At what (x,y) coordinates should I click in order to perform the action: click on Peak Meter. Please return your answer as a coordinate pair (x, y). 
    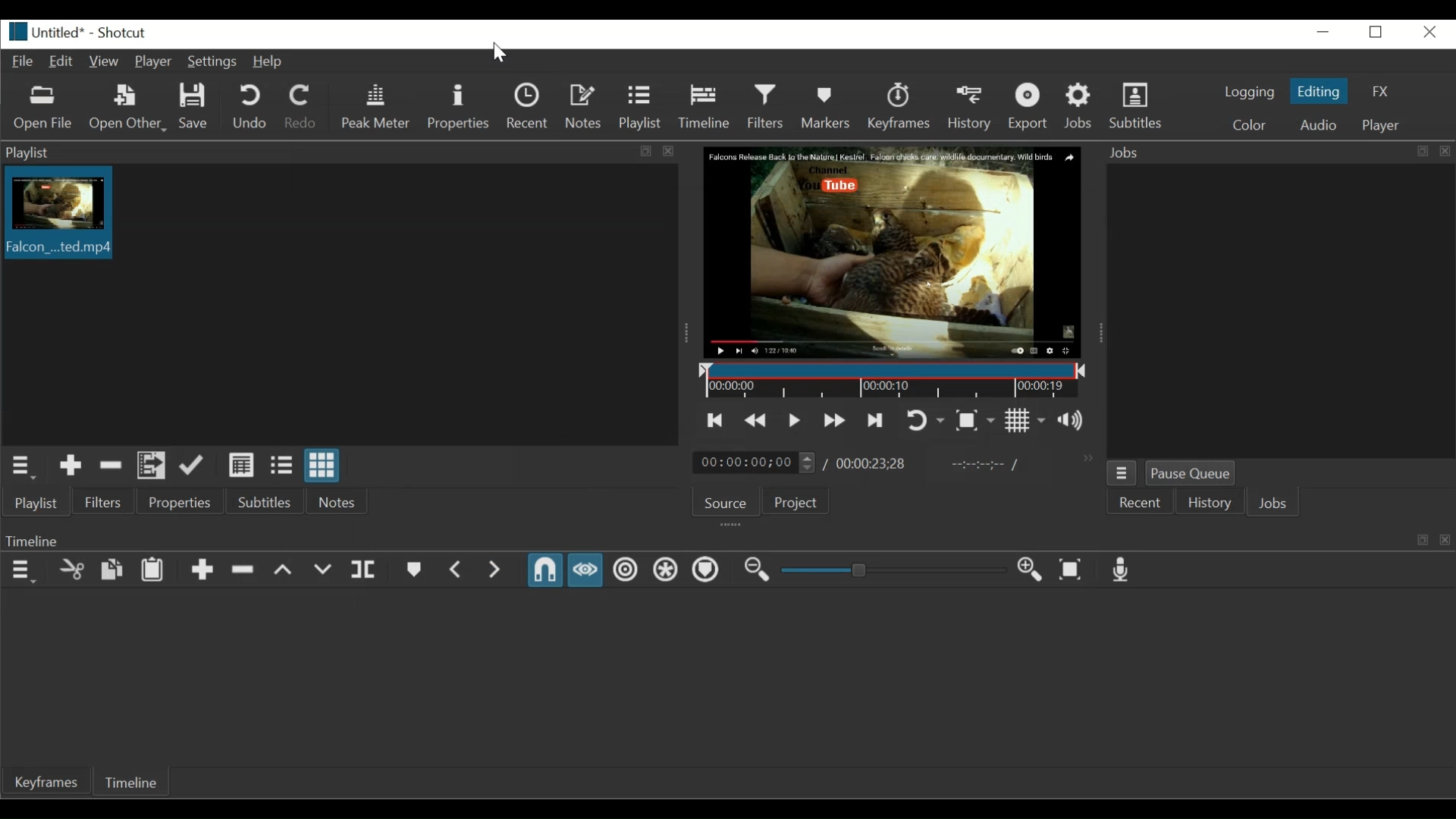
    Looking at the image, I should click on (374, 106).